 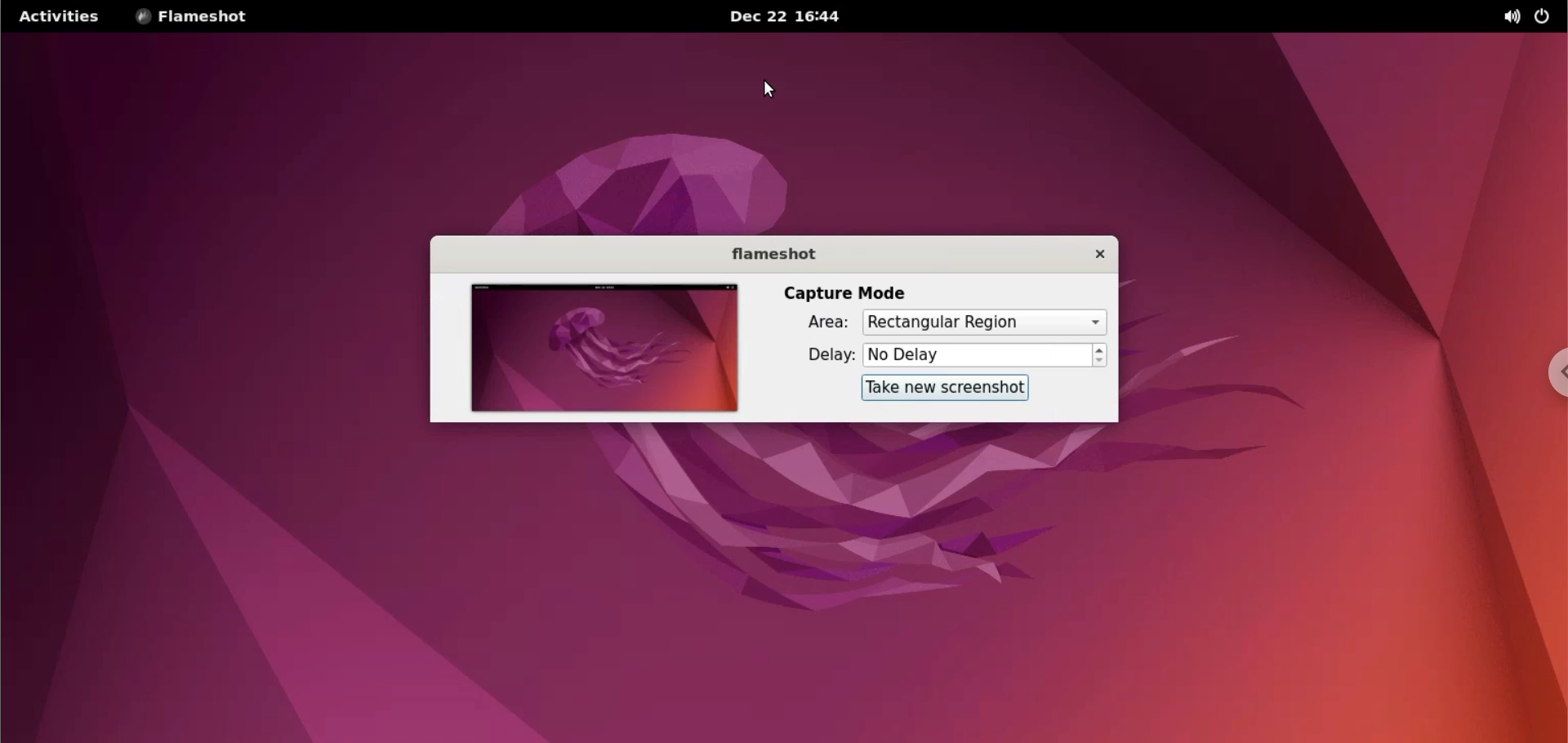 What do you see at coordinates (947, 388) in the screenshot?
I see `take new screenshot` at bounding box center [947, 388].